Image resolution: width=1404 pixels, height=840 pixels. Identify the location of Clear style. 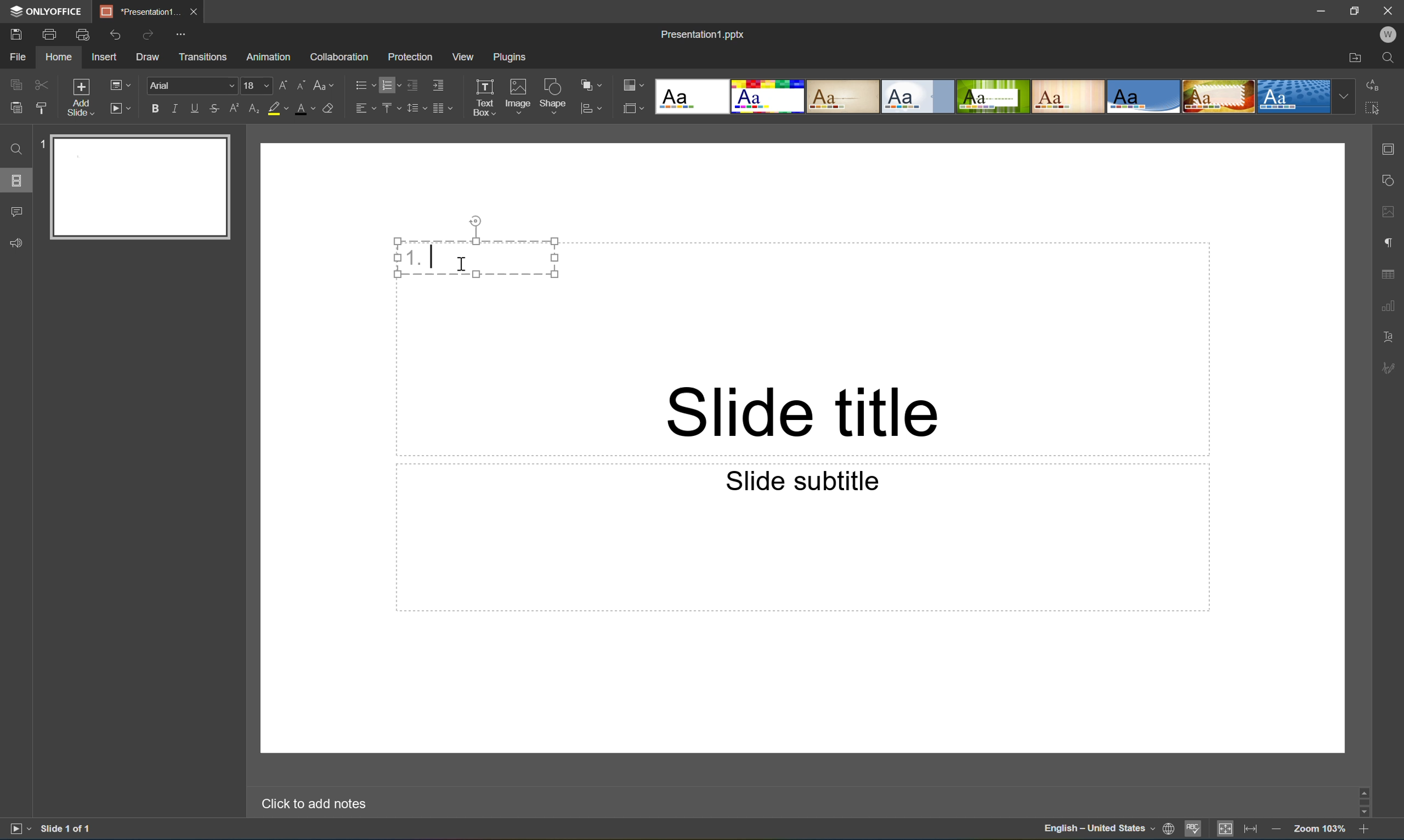
(330, 107).